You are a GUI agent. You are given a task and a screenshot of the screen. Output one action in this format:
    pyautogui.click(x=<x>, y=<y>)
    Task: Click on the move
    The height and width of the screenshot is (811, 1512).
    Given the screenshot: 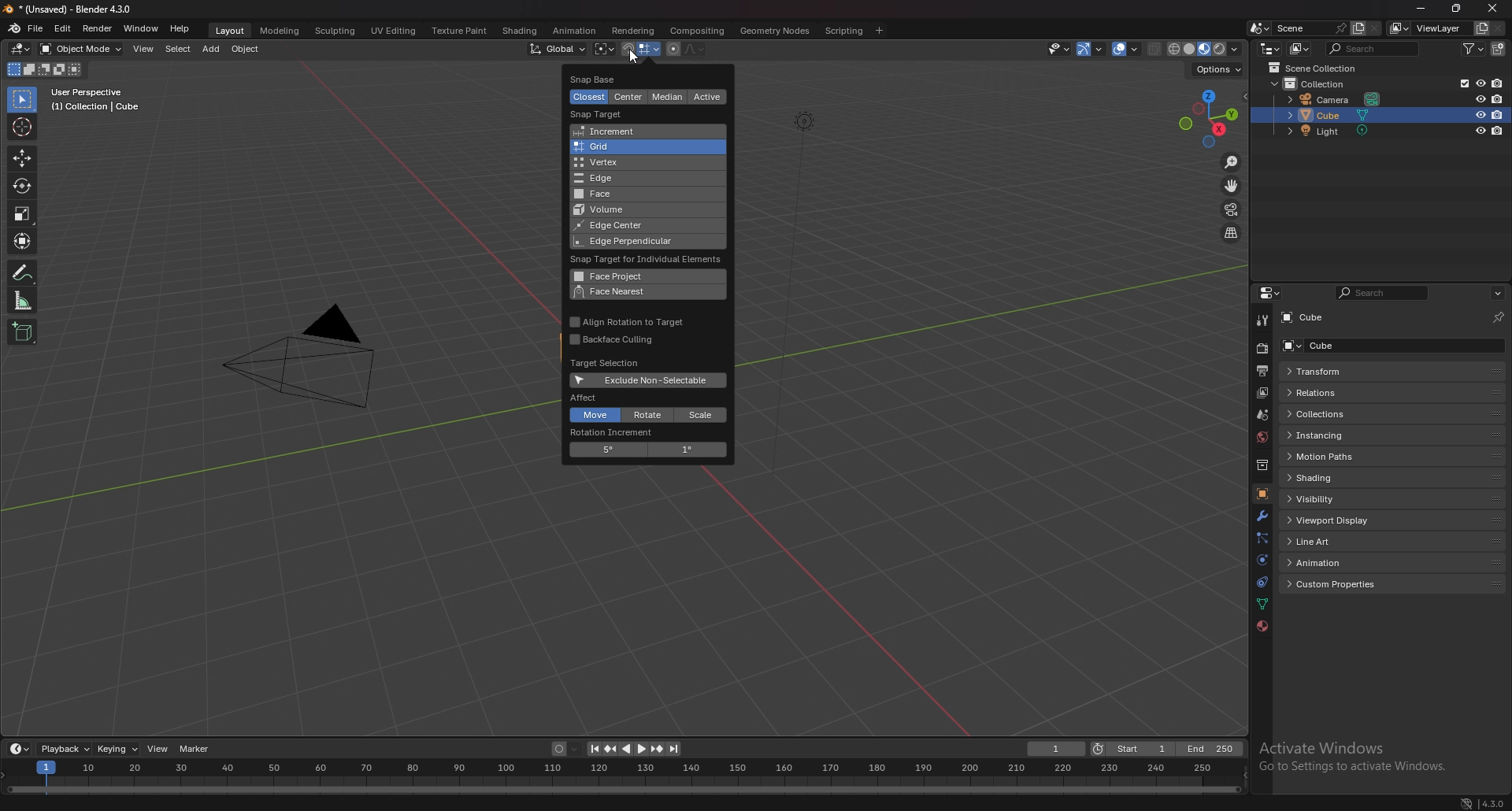 What is the action you would take?
    pyautogui.click(x=1231, y=186)
    